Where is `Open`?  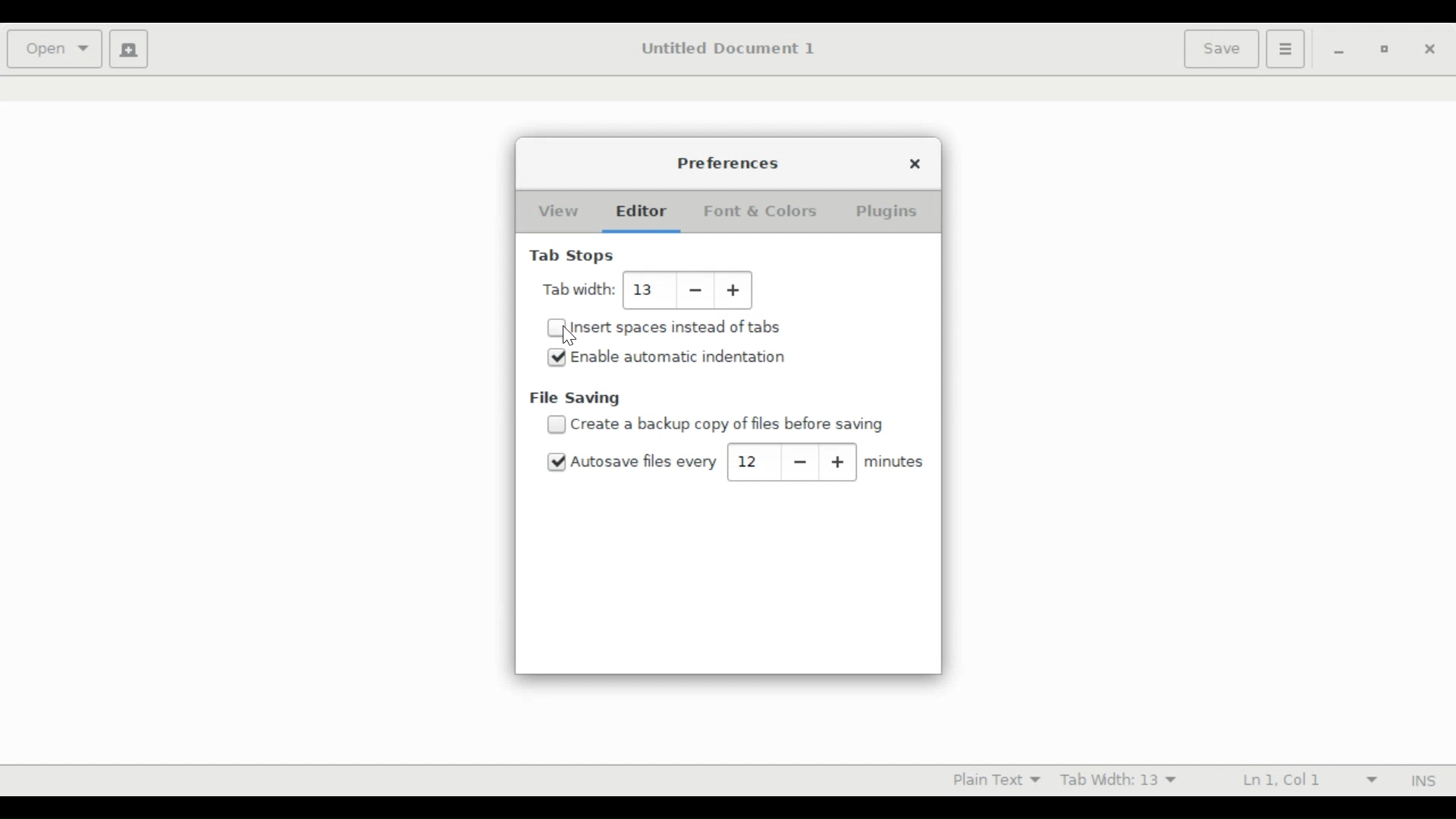
Open is located at coordinates (54, 47).